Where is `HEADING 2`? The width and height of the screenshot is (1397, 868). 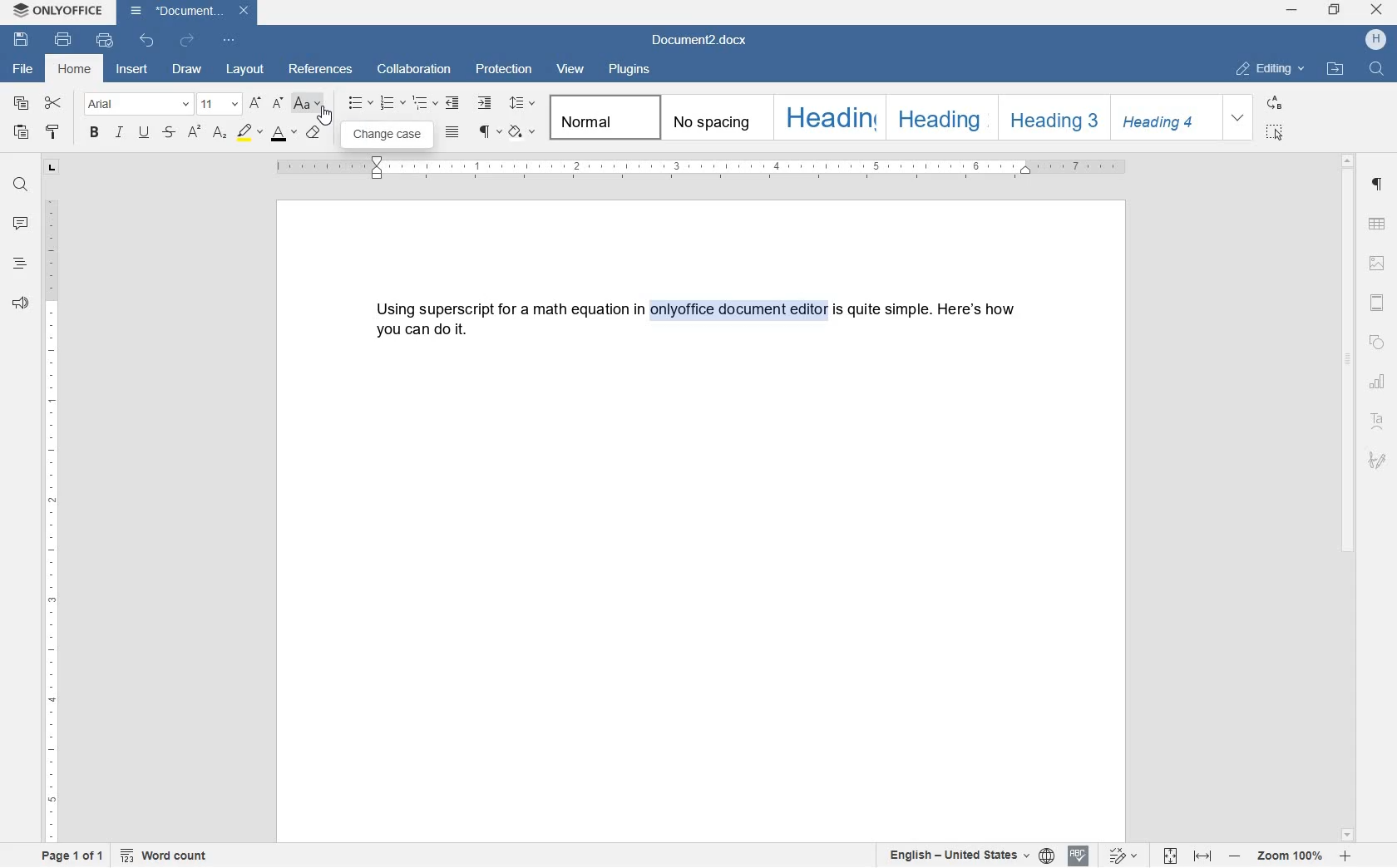 HEADING 2 is located at coordinates (937, 116).